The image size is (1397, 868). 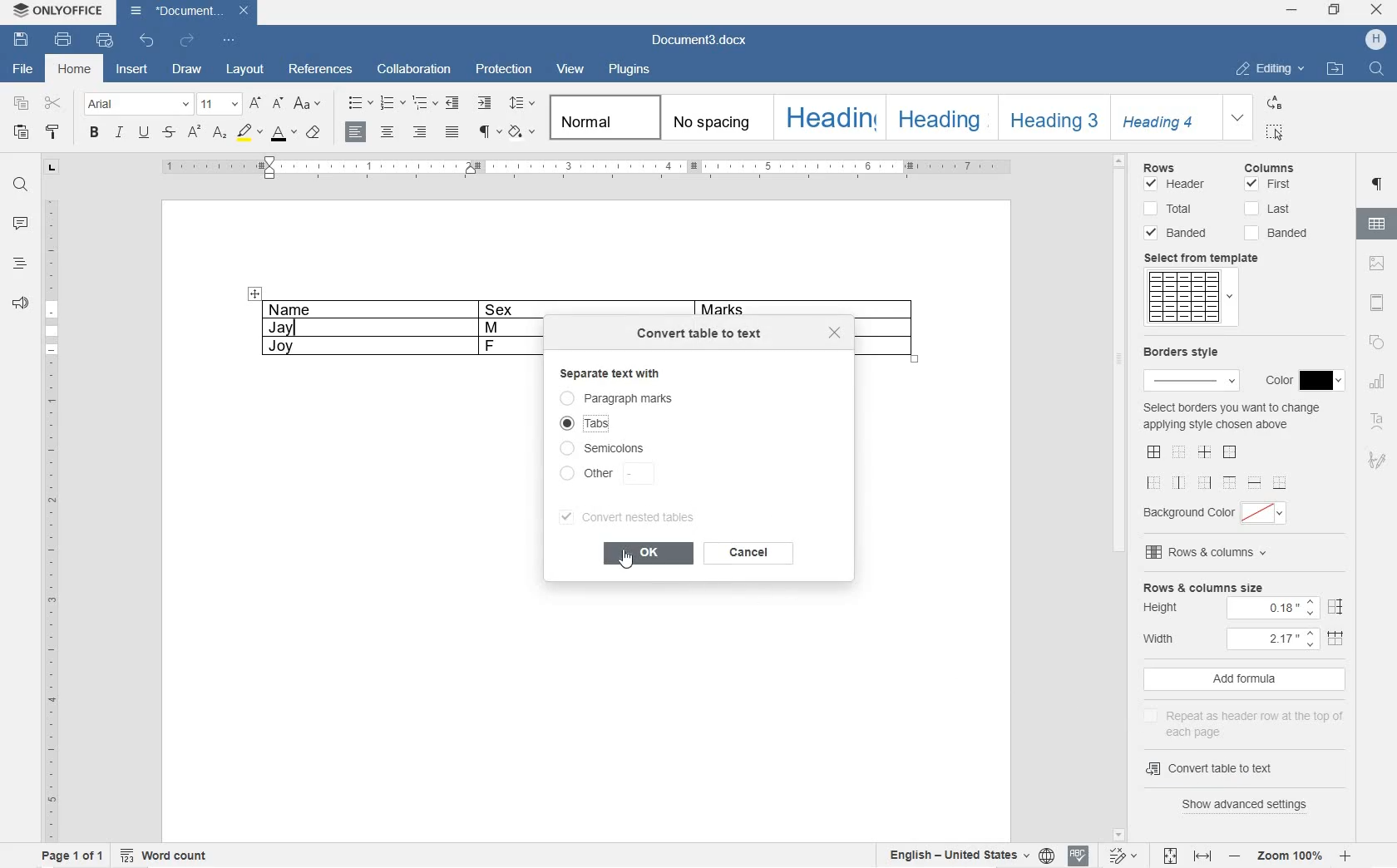 What do you see at coordinates (359, 104) in the screenshot?
I see `BULLET` at bounding box center [359, 104].